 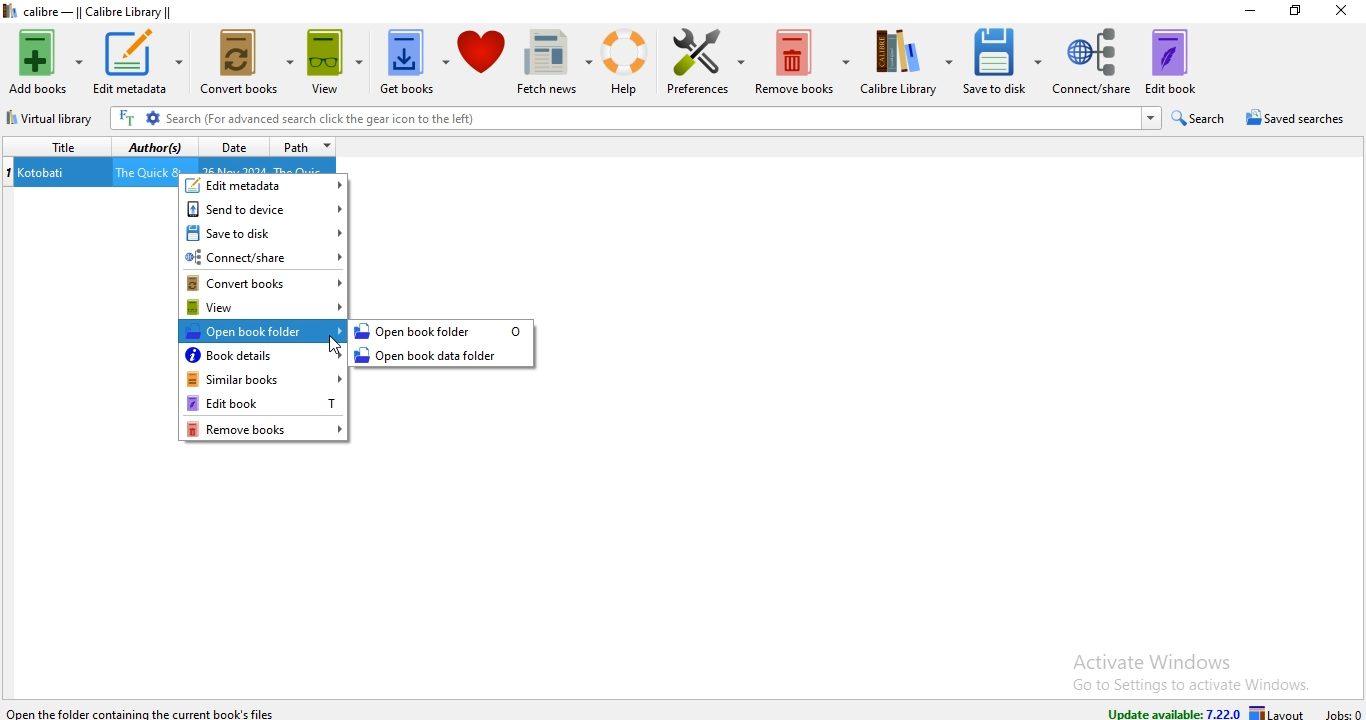 What do you see at coordinates (264, 354) in the screenshot?
I see `book details` at bounding box center [264, 354].